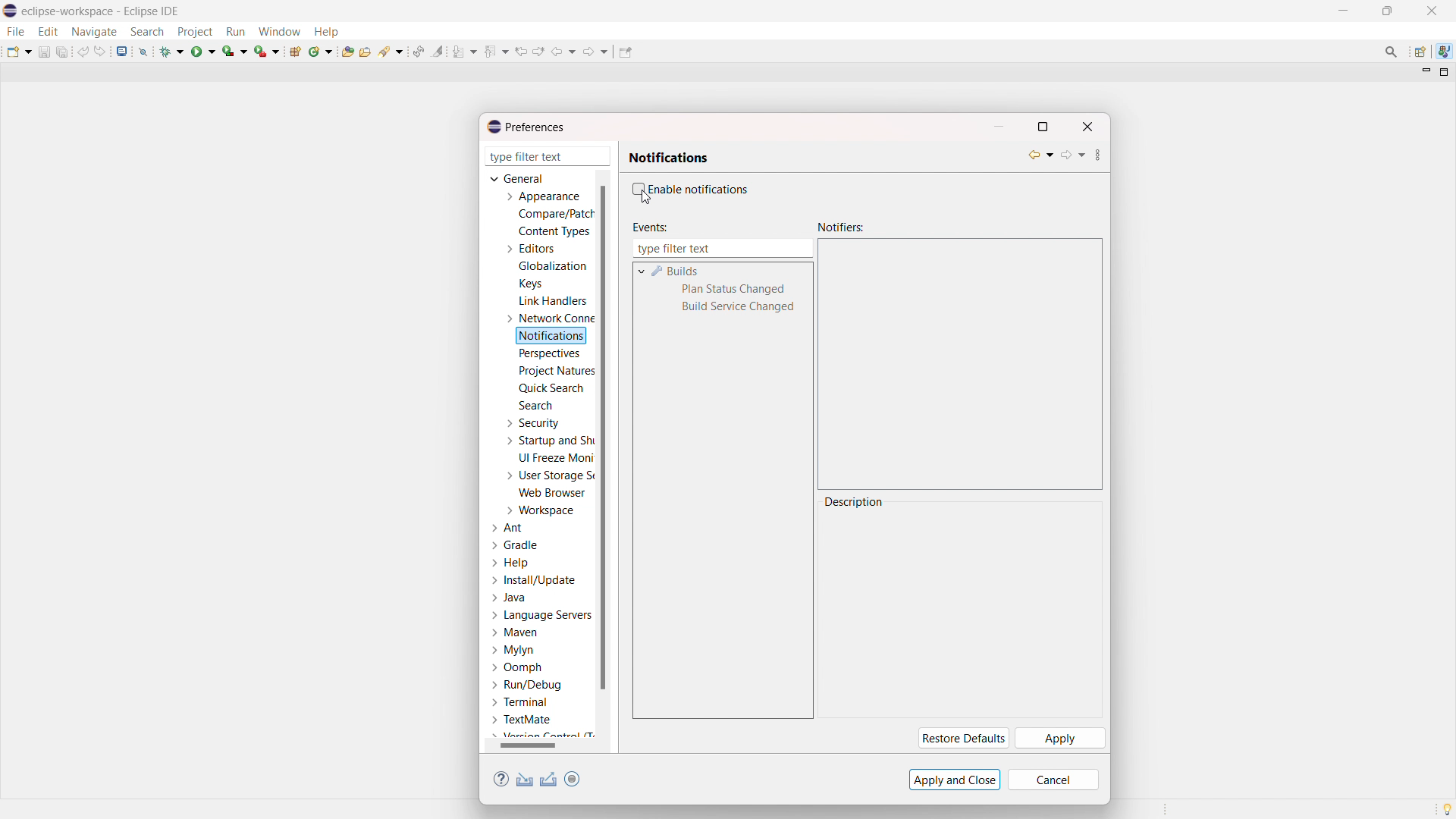 The height and width of the screenshot is (819, 1456). What do you see at coordinates (552, 337) in the screenshot?
I see `notifications` at bounding box center [552, 337].